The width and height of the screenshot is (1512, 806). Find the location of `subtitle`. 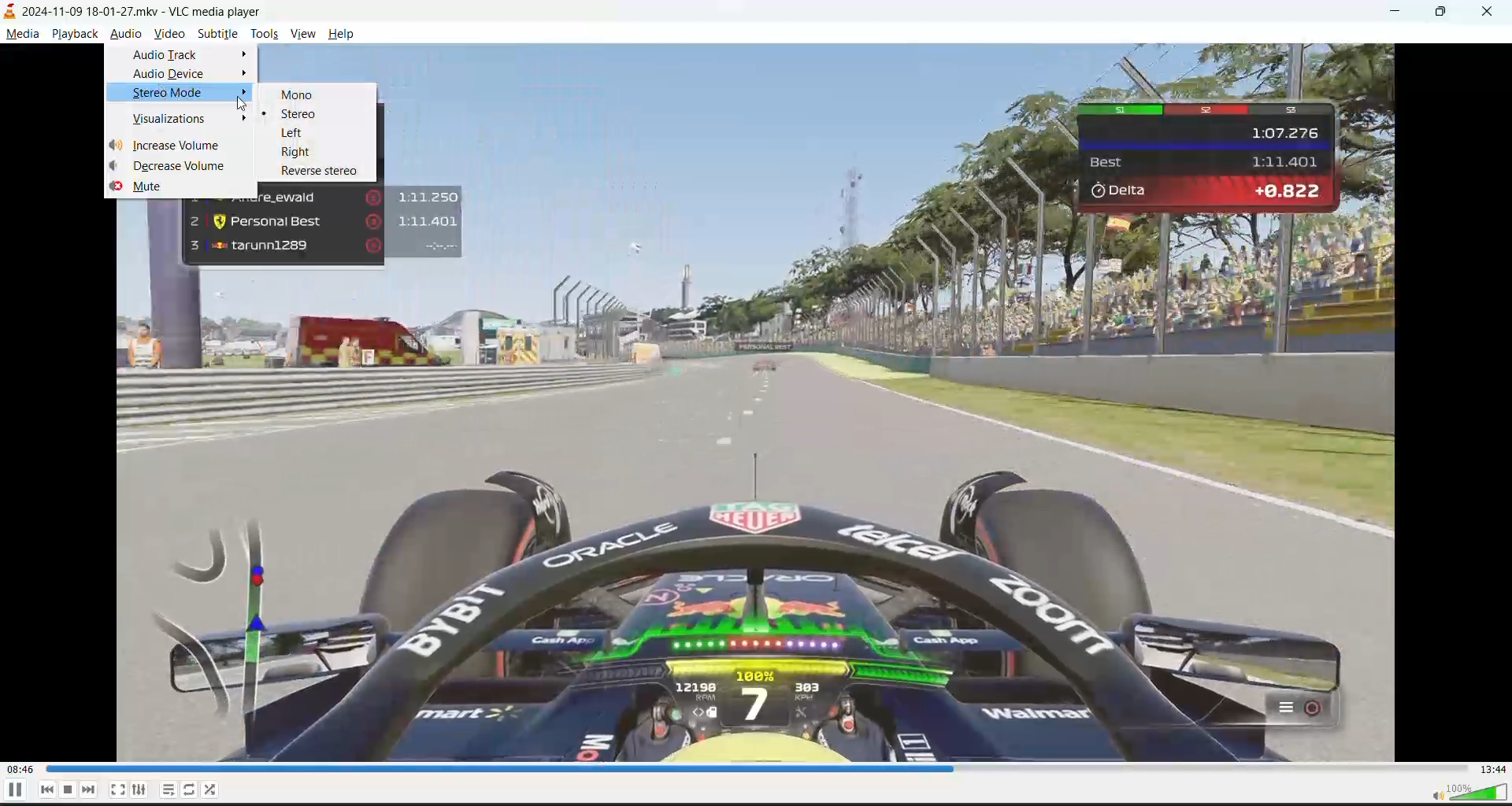

subtitle is located at coordinates (217, 32).